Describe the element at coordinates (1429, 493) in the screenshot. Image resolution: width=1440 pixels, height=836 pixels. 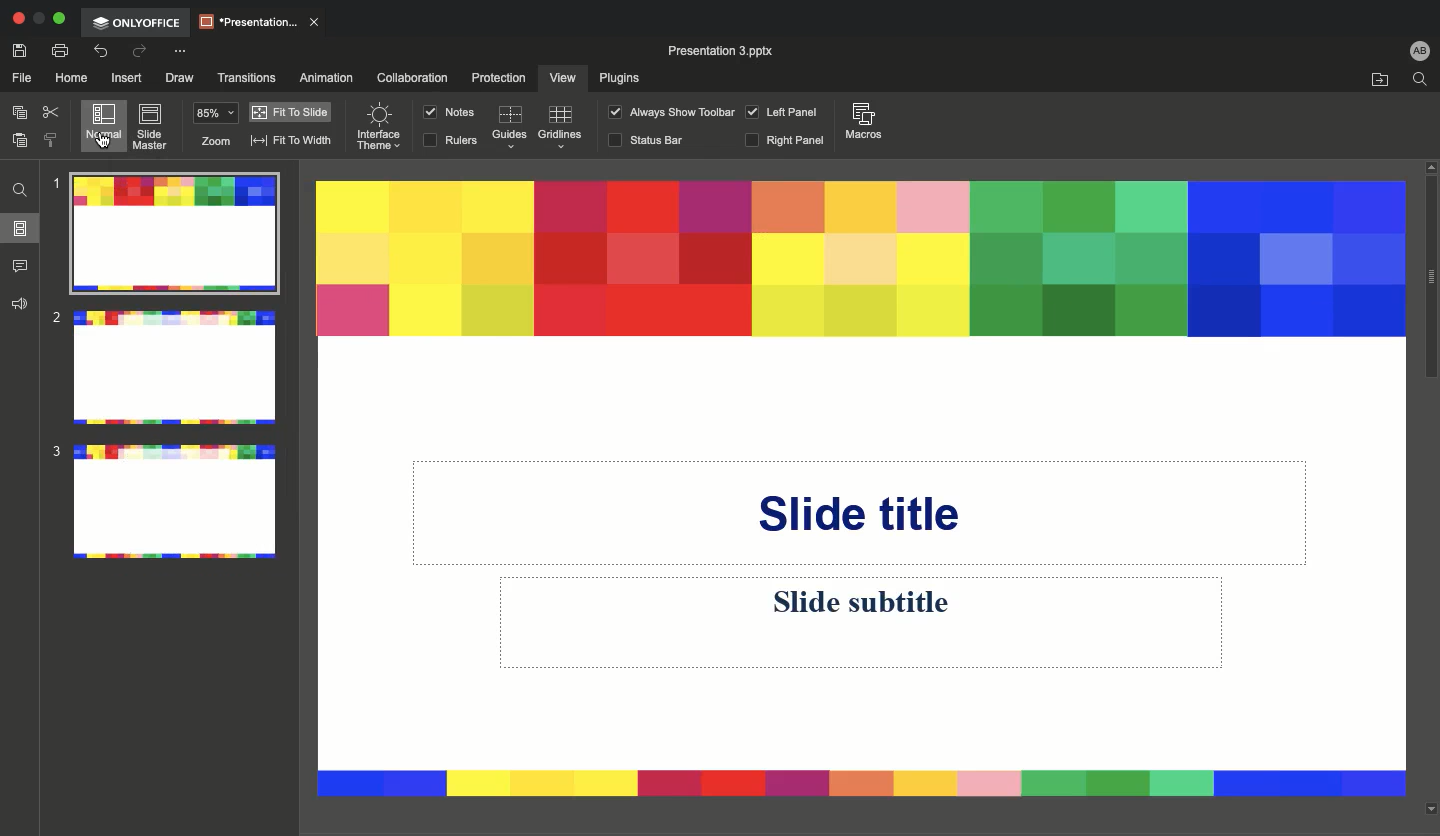
I see `Scroll bar` at that location.